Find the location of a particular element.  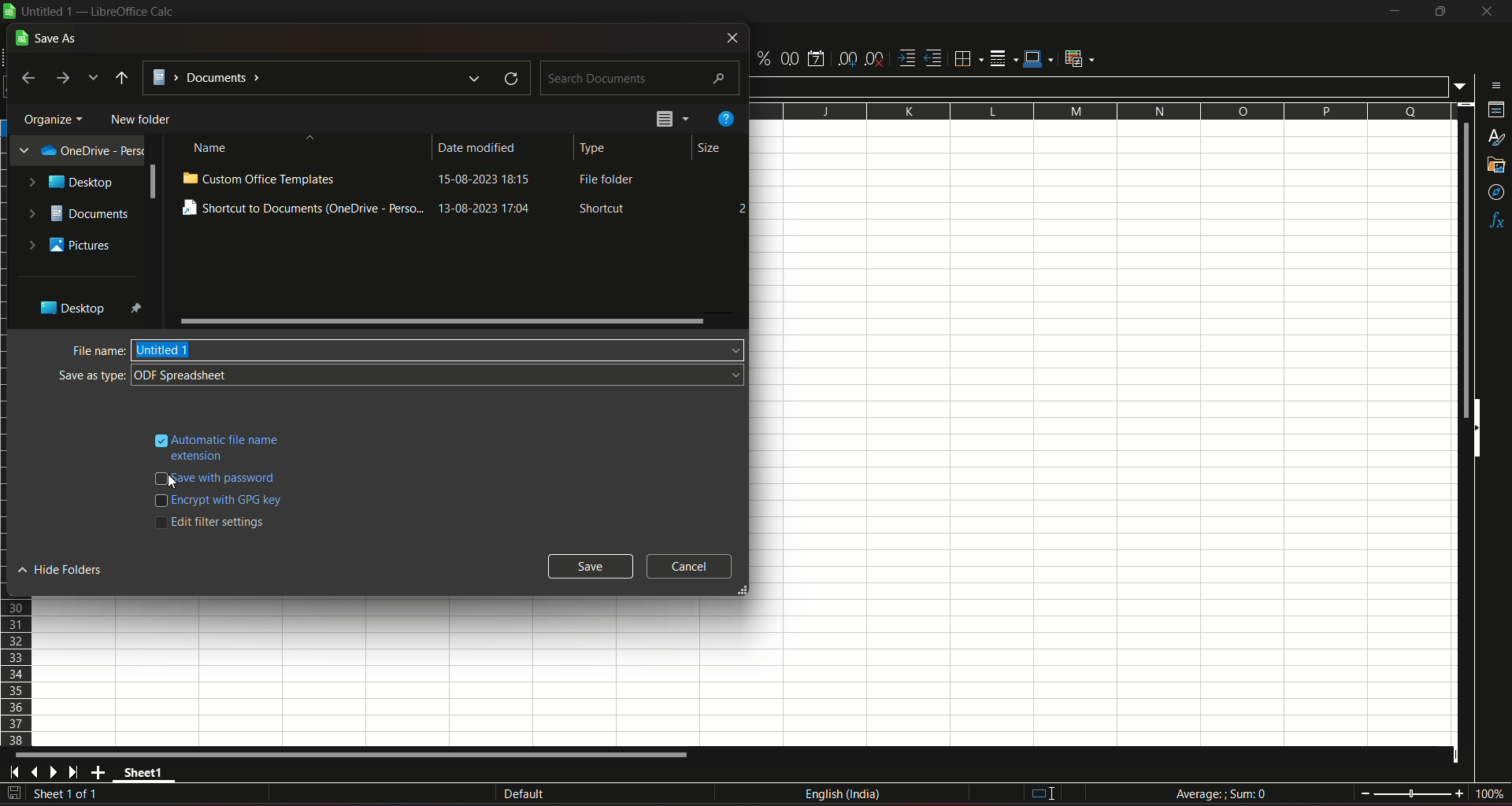

increase indent is located at coordinates (906, 57).